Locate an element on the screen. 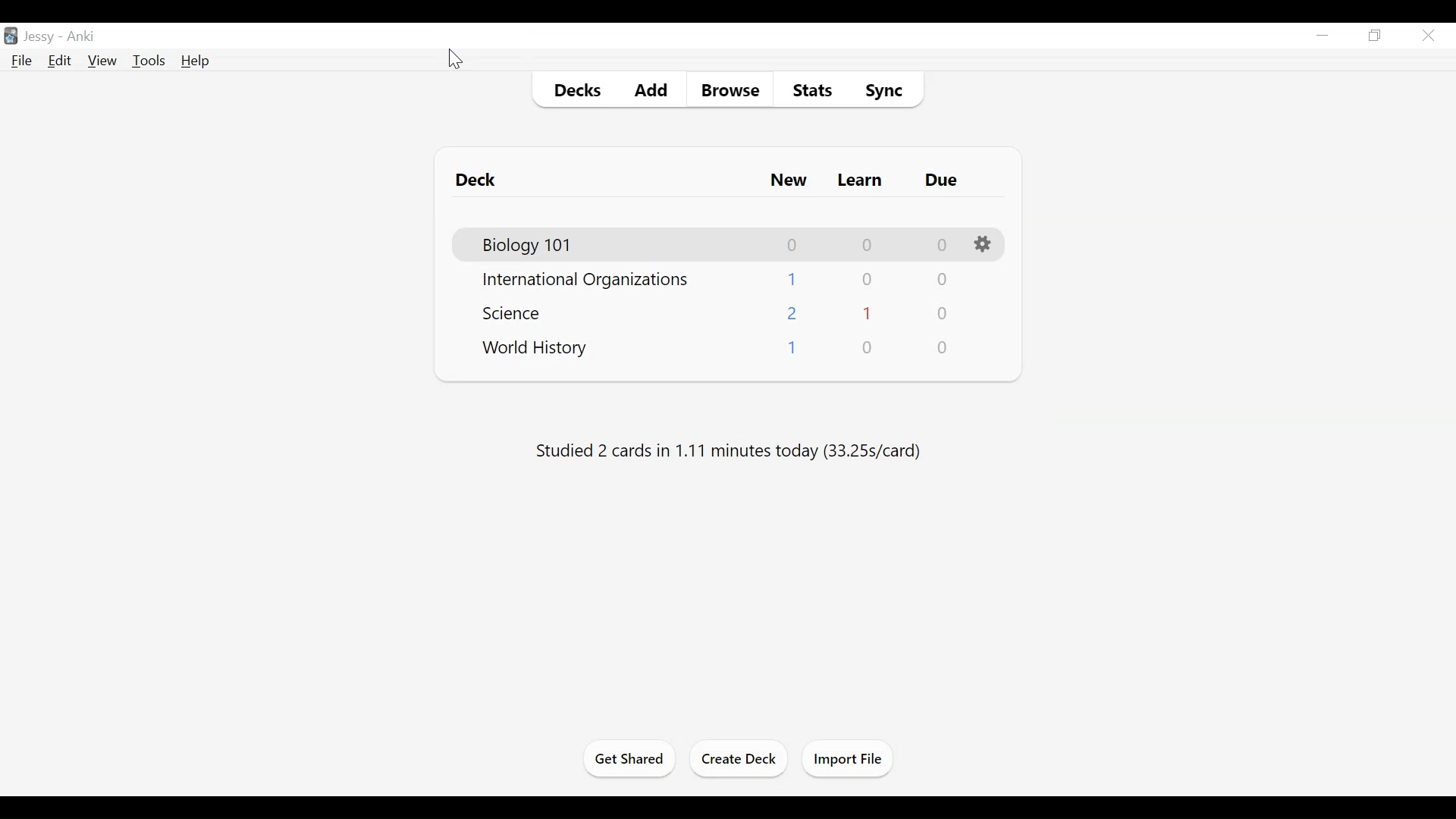 The width and height of the screenshot is (1456, 819). Close is located at coordinates (1428, 36).